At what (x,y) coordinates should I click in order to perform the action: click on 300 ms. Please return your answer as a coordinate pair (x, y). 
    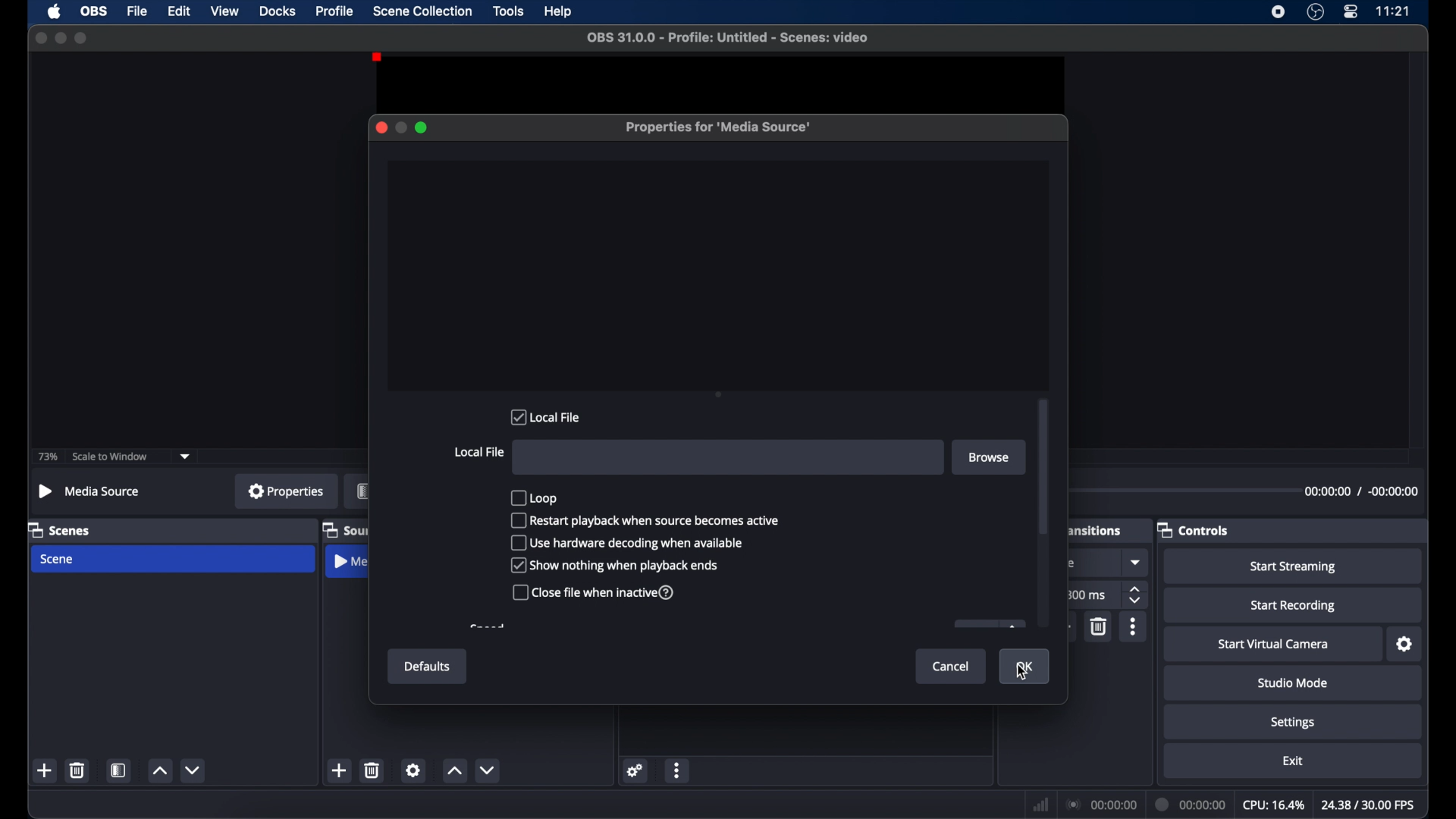
    Looking at the image, I should click on (1086, 595).